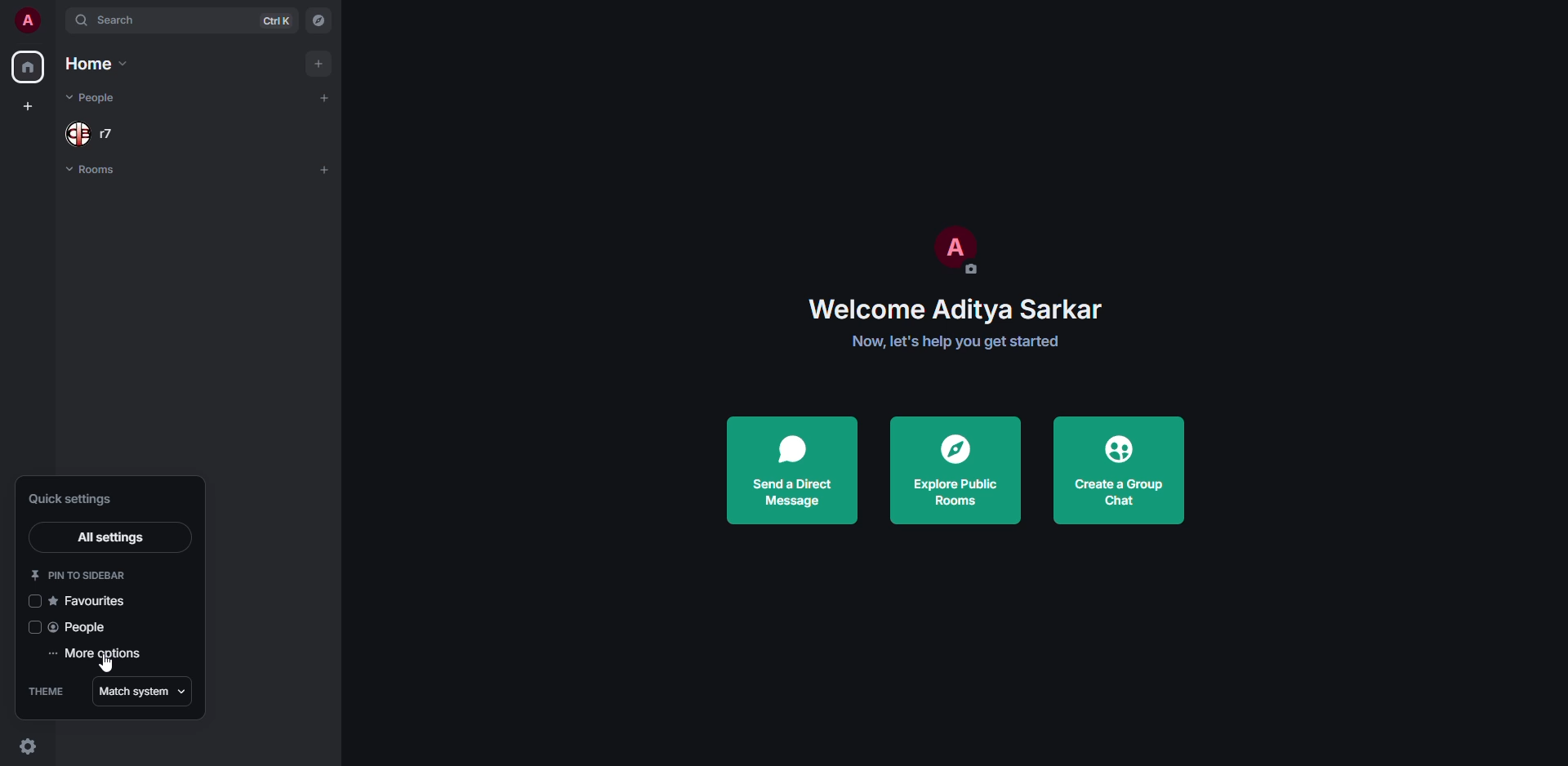  What do you see at coordinates (954, 468) in the screenshot?
I see `explore public rooms` at bounding box center [954, 468].